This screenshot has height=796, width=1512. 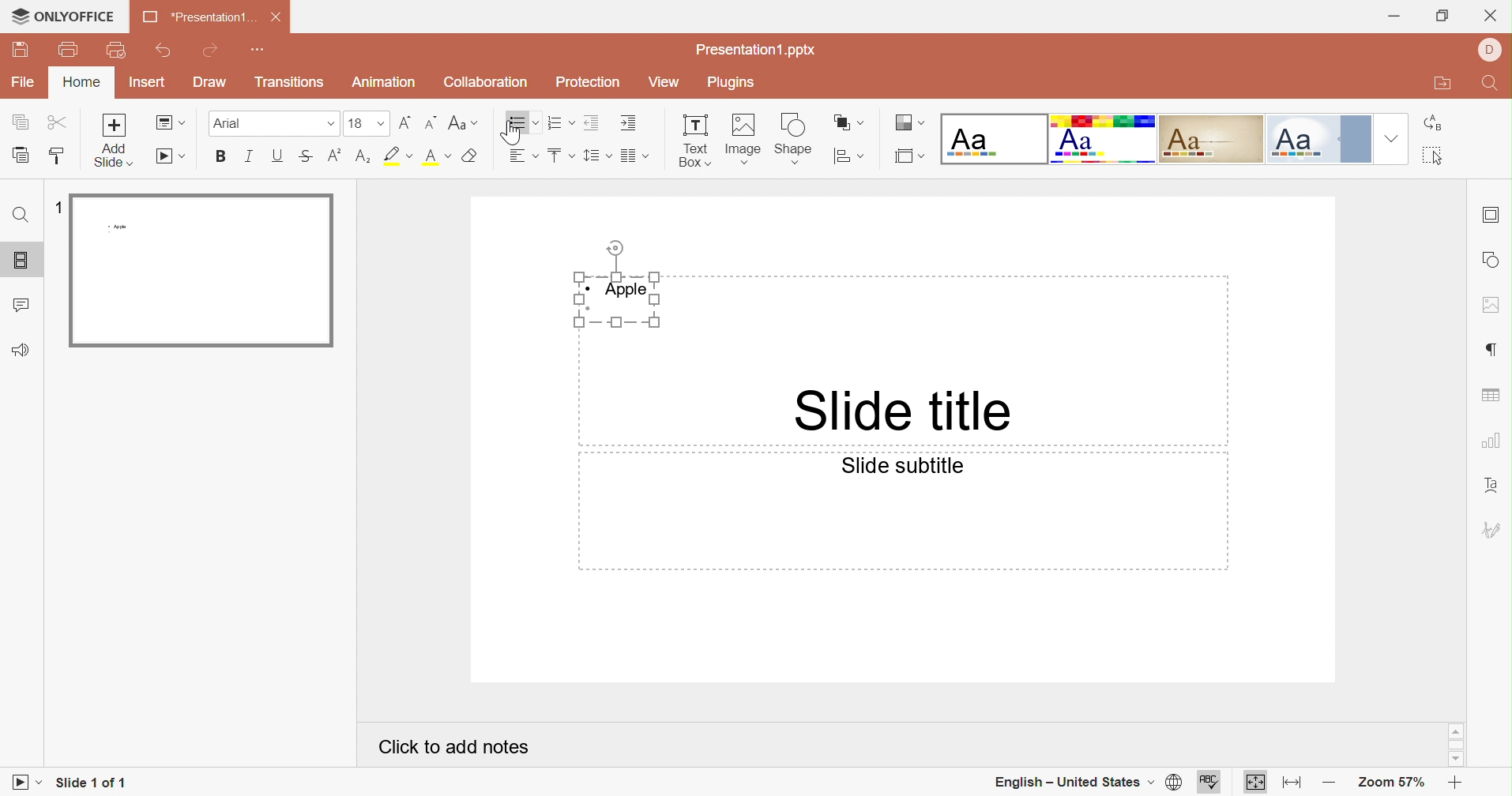 What do you see at coordinates (521, 155) in the screenshot?
I see `Horizontal align` at bounding box center [521, 155].